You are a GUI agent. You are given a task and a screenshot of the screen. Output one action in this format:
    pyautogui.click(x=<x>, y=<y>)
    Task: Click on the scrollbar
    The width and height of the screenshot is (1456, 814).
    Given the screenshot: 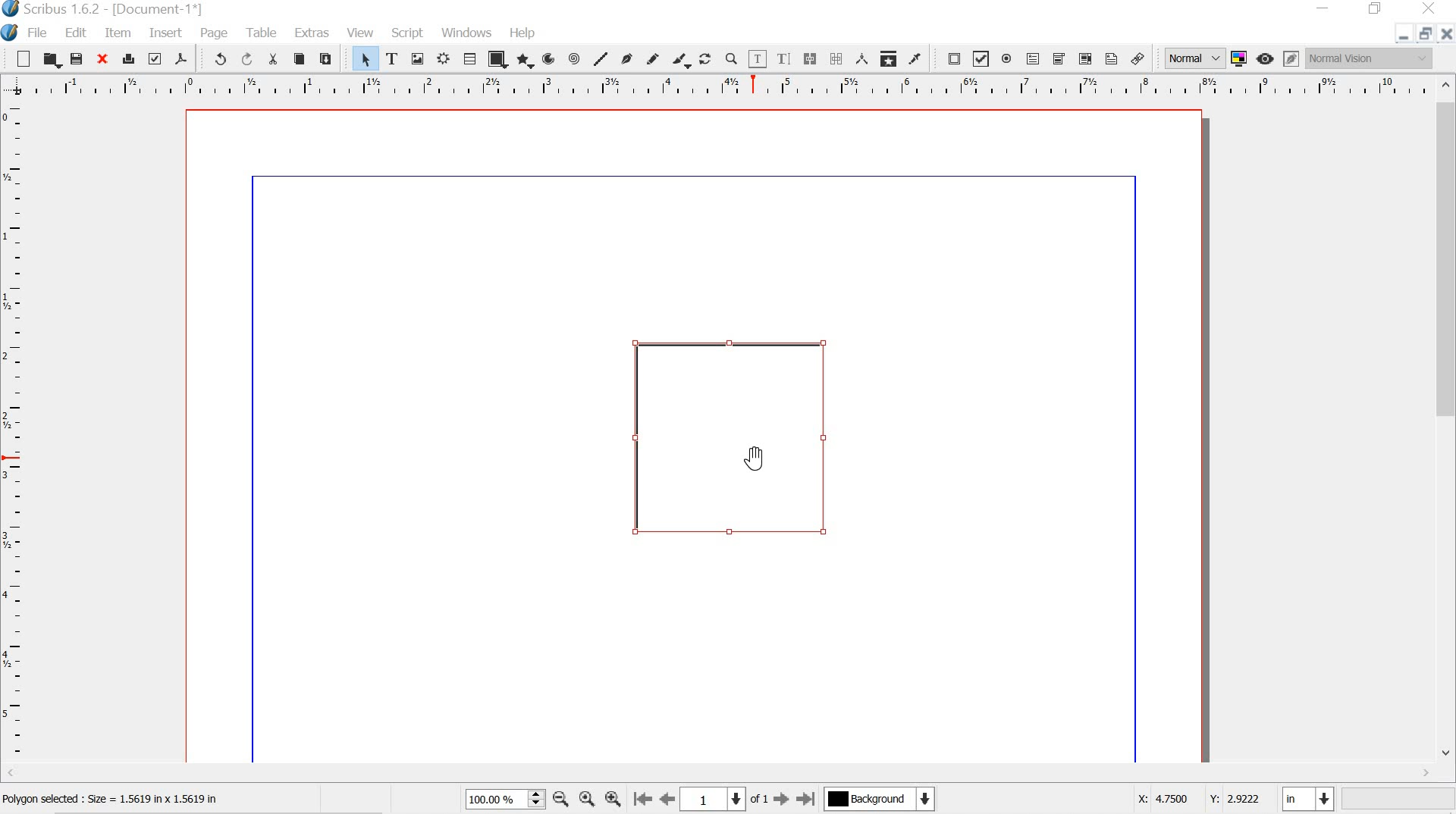 What is the action you would take?
    pyautogui.click(x=1445, y=422)
    